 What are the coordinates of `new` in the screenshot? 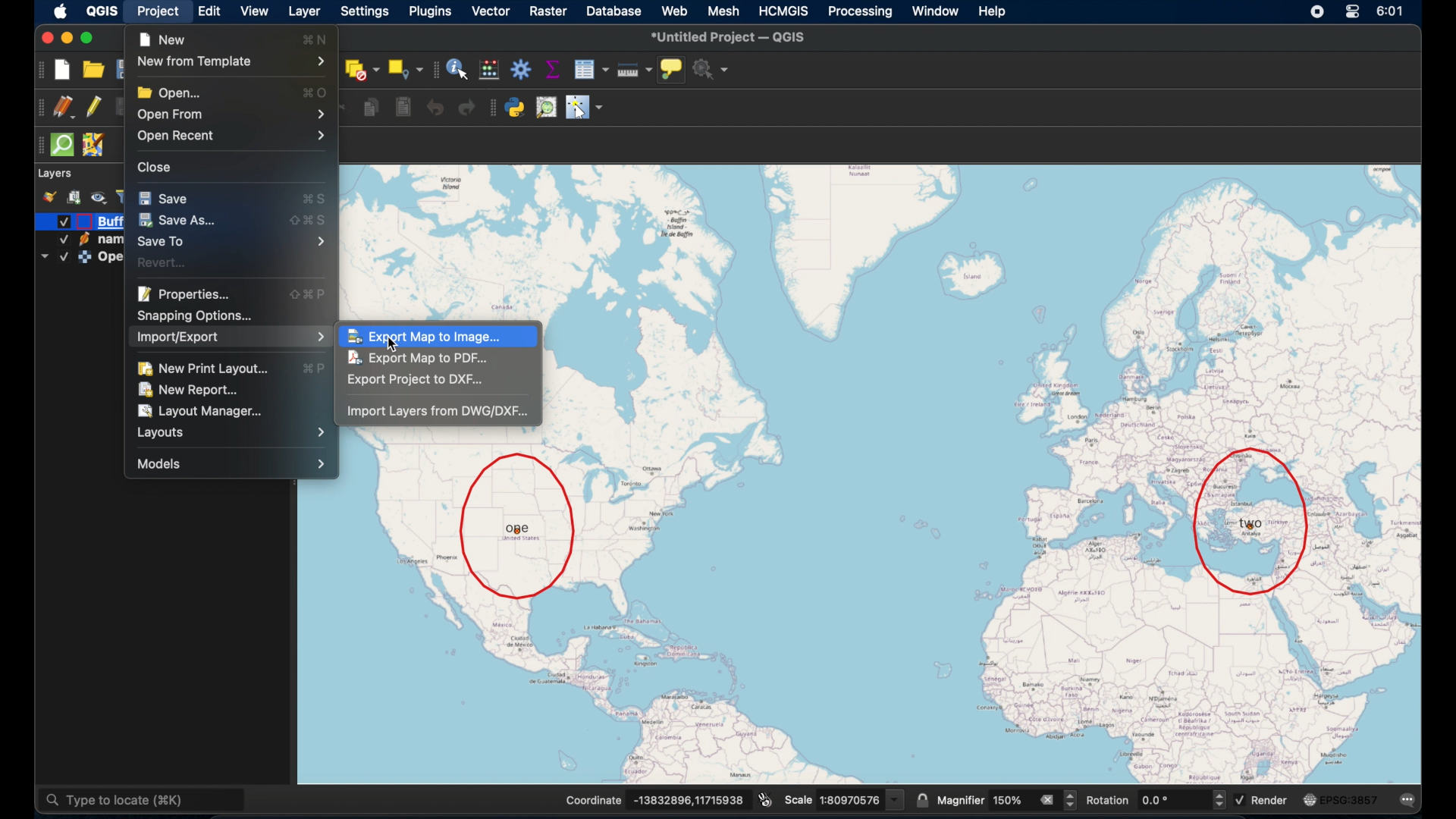 It's located at (163, 37).